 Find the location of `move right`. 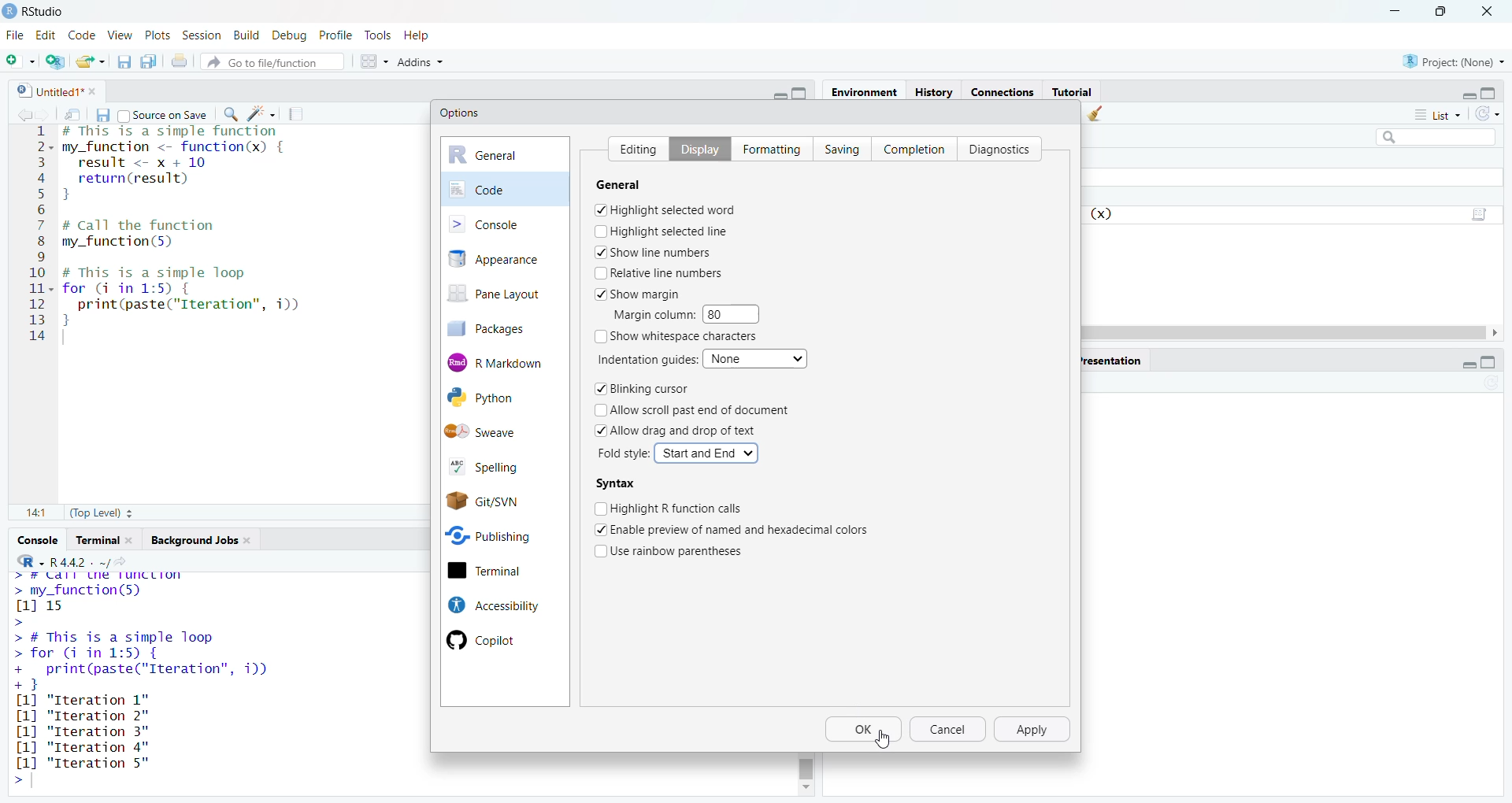

move right is located at coordinates (1501, 333).